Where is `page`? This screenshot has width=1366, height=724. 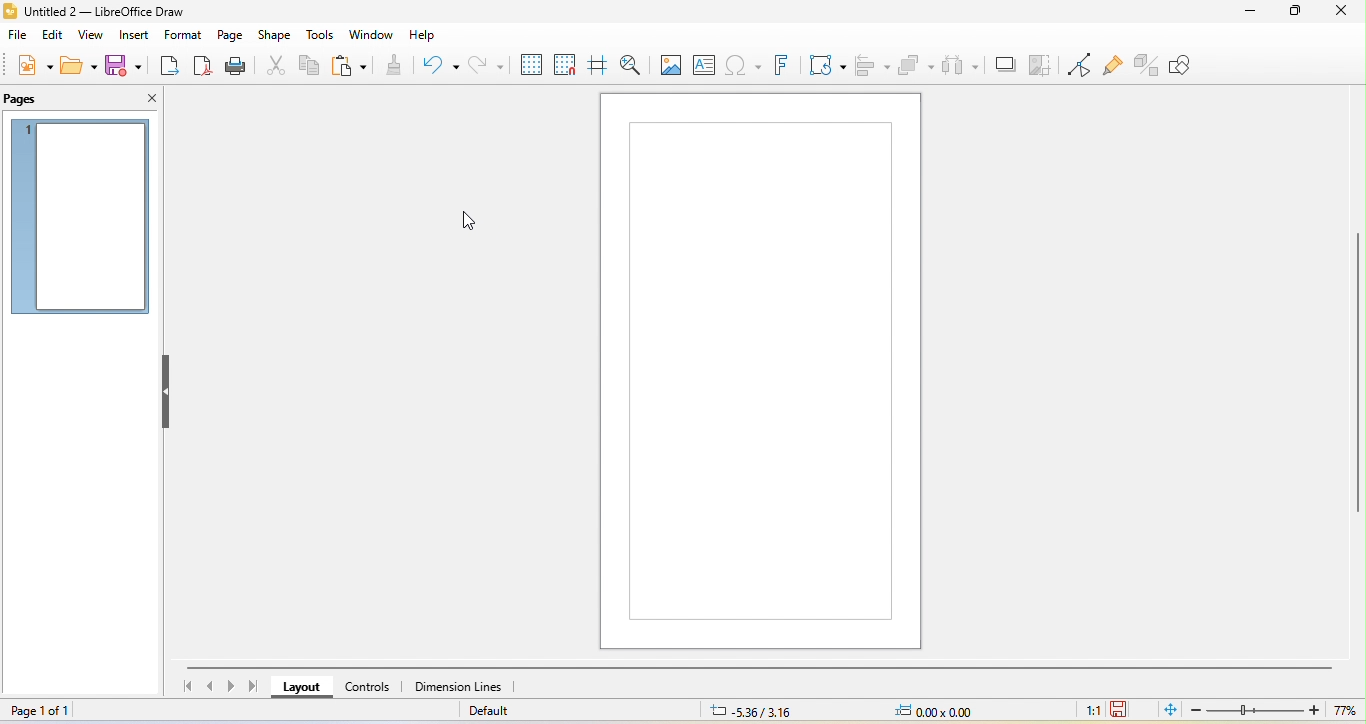 page is located at coordinates (229, 35).